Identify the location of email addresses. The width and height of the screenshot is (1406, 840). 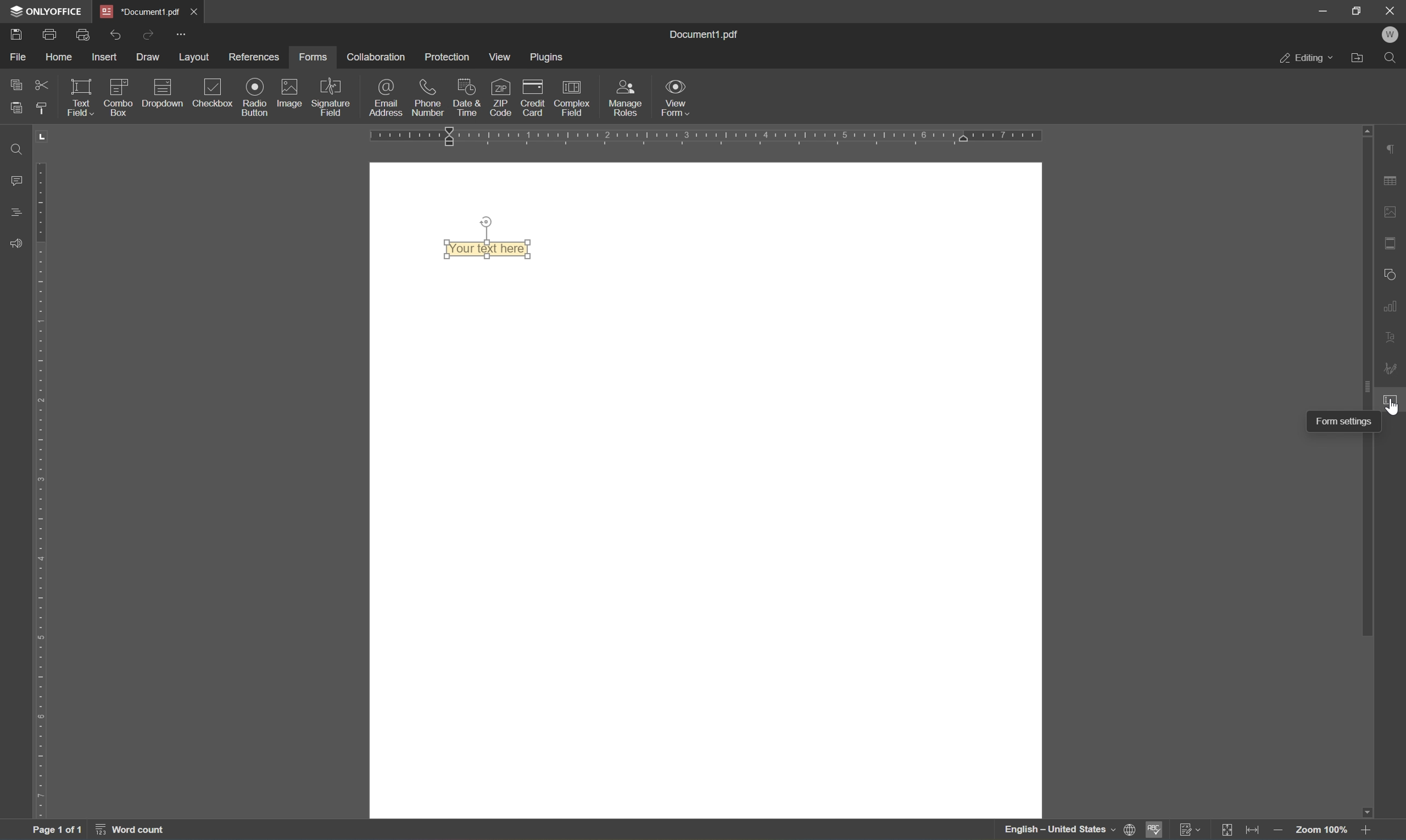
(387, 97).